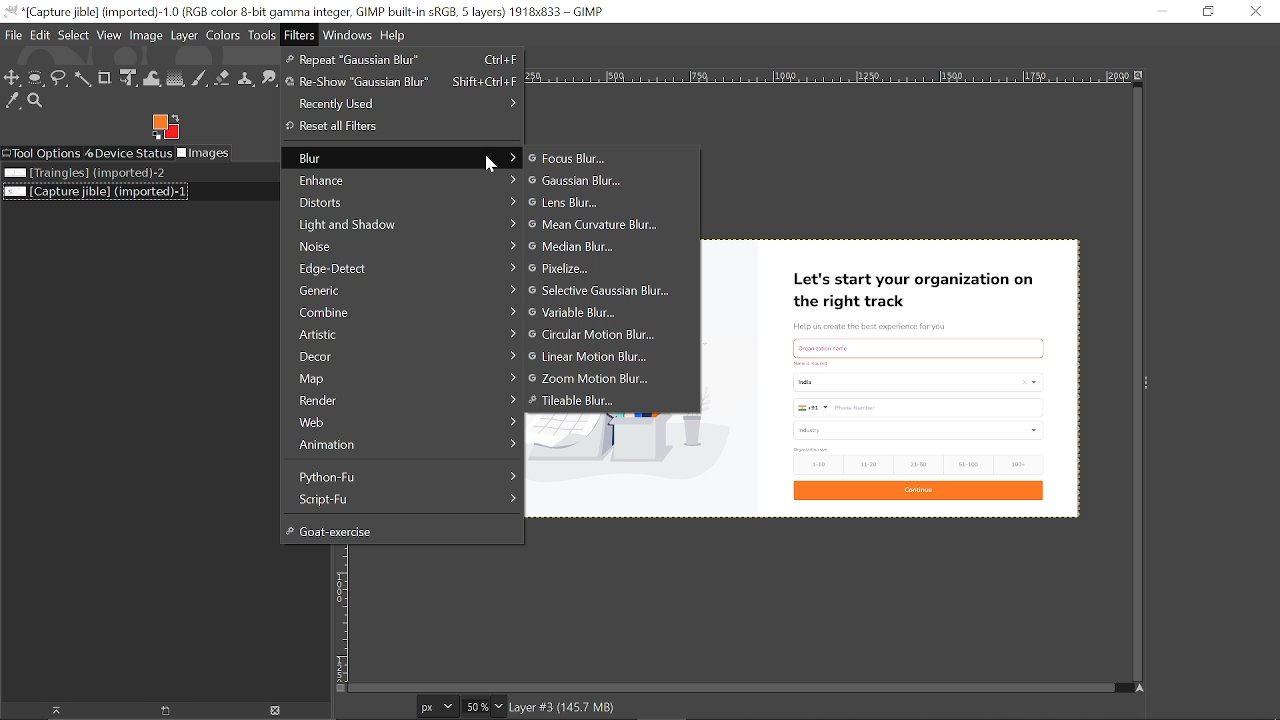 The width and height of the screenshot is (1280, 720). I want to click on Select, so click(74, 37).